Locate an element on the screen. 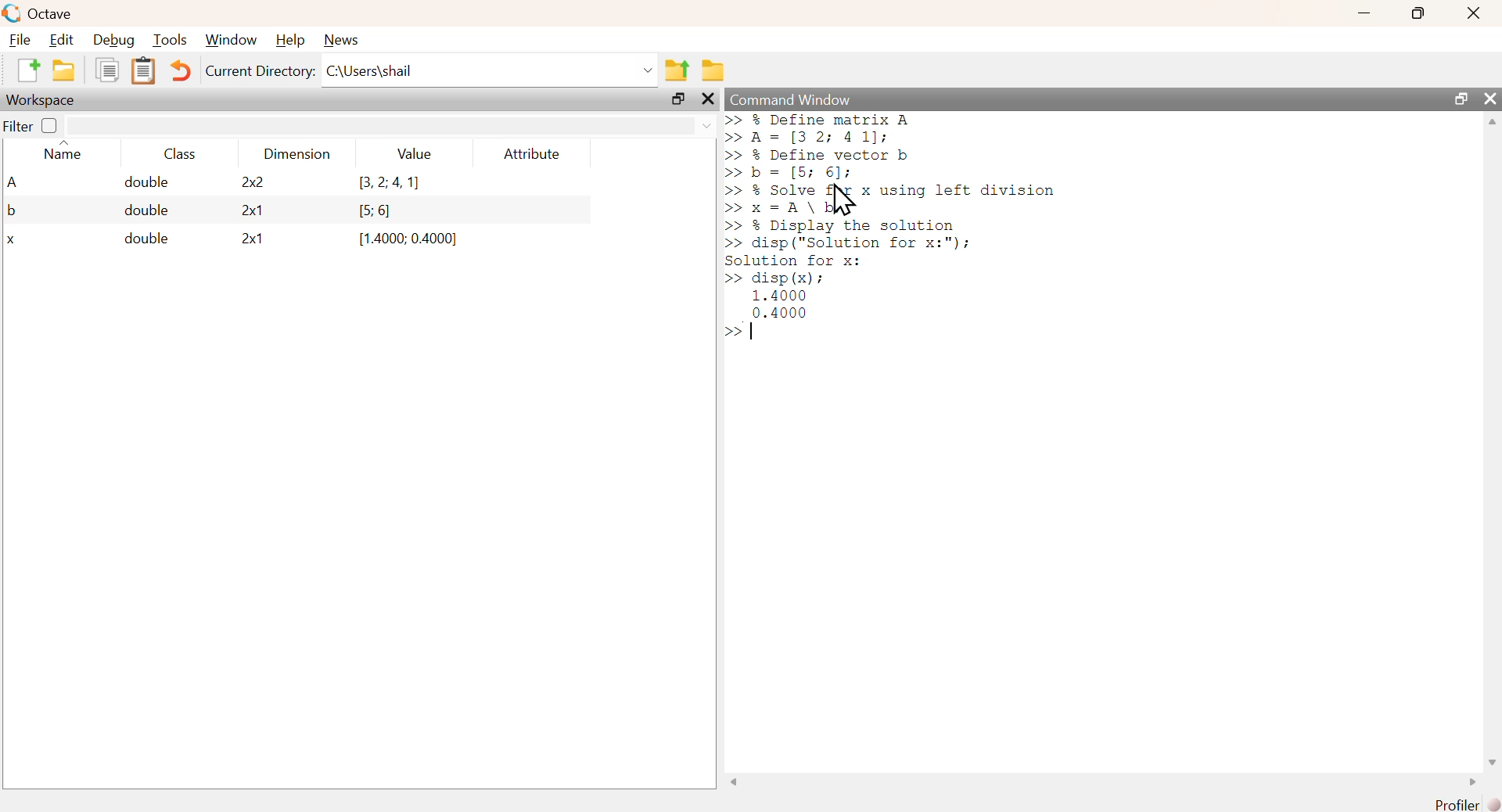  command is located at coordinates (1035, 235).